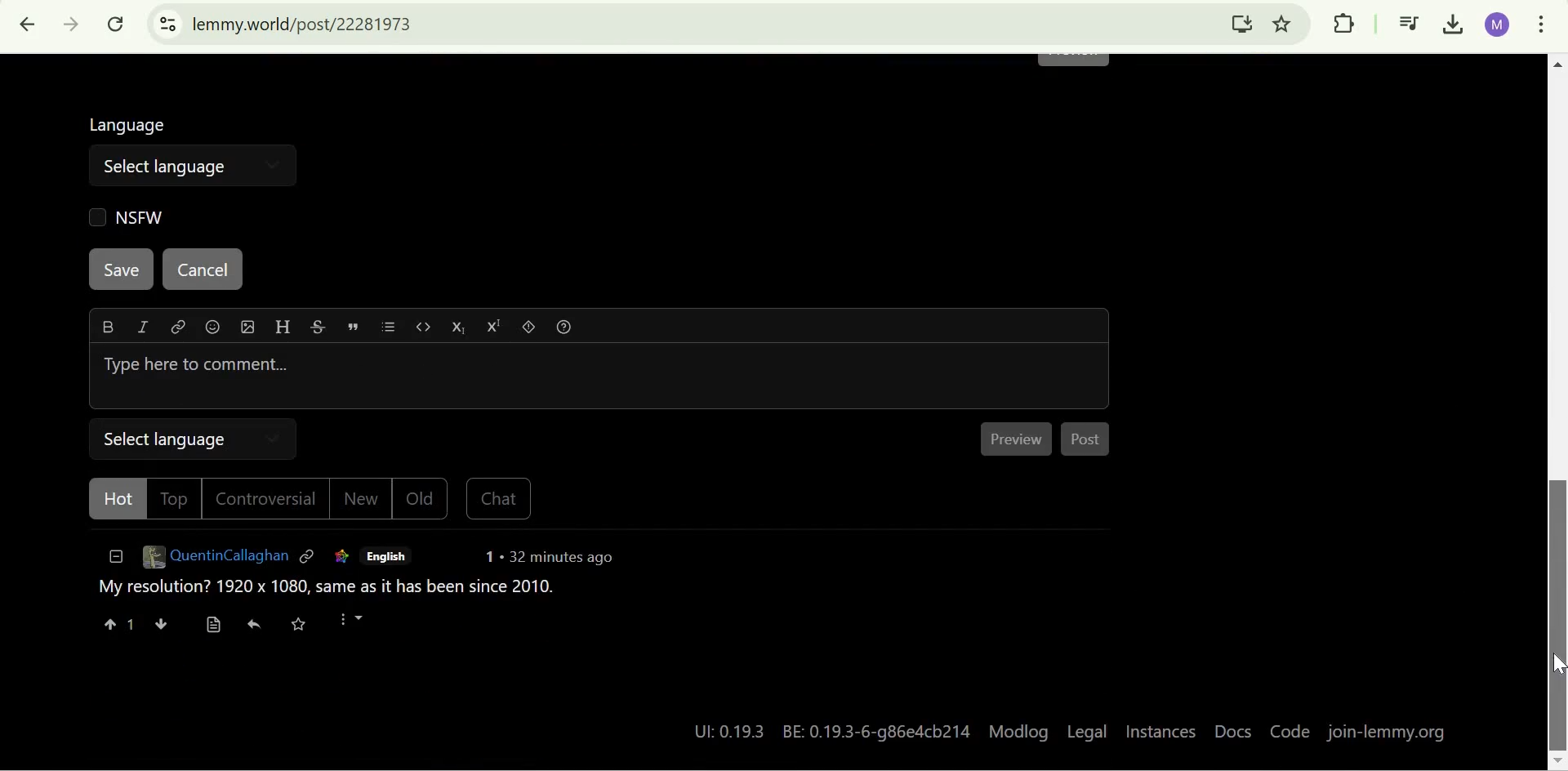  I want to click on link, so click(309, 559).